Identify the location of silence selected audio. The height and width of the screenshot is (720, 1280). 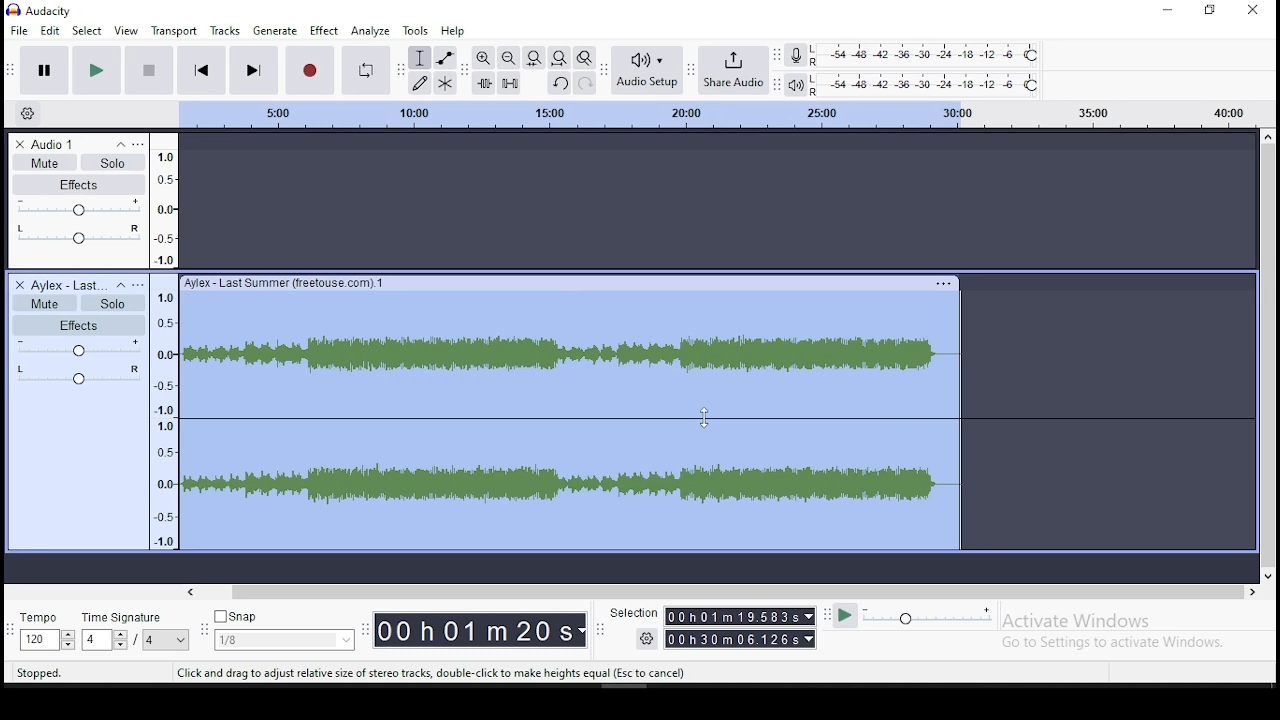
(510, 83).